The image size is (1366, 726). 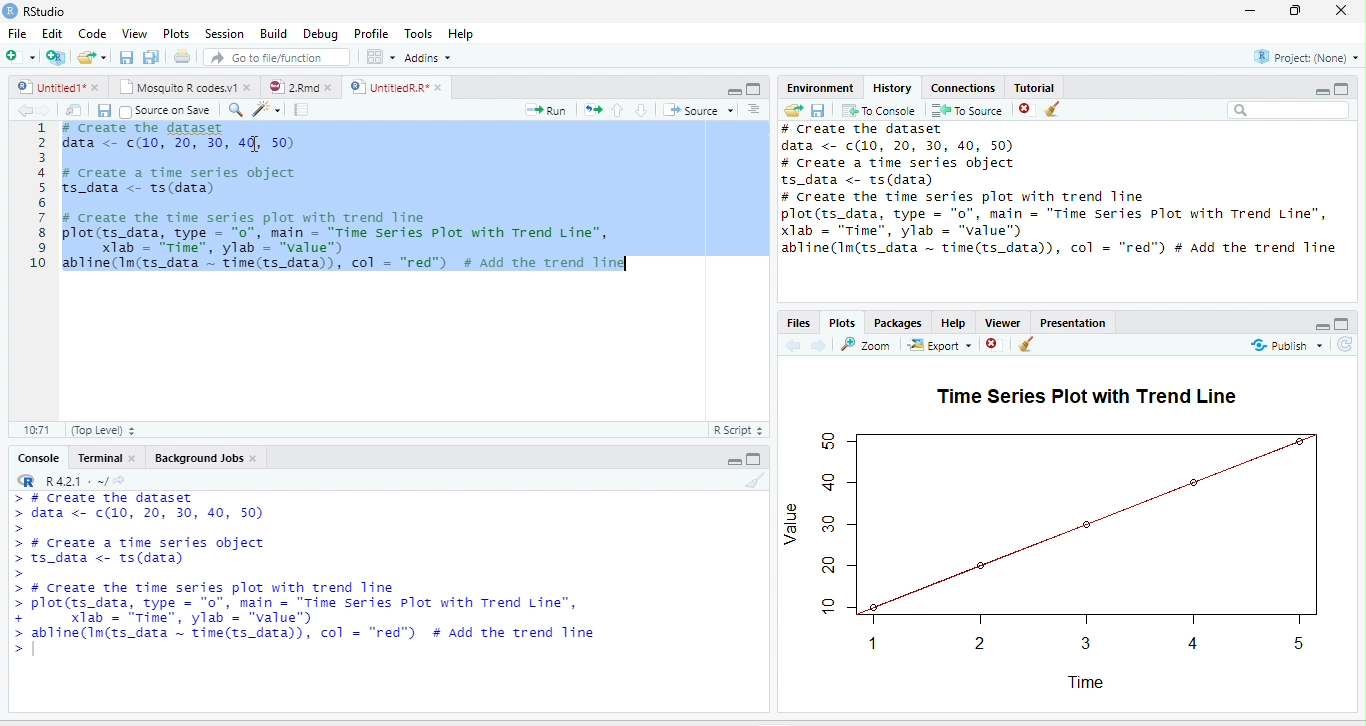 What do you see at coordinates (56, 56) in the screenshot?
I see `Create a project` at bounding box center [56, 56].